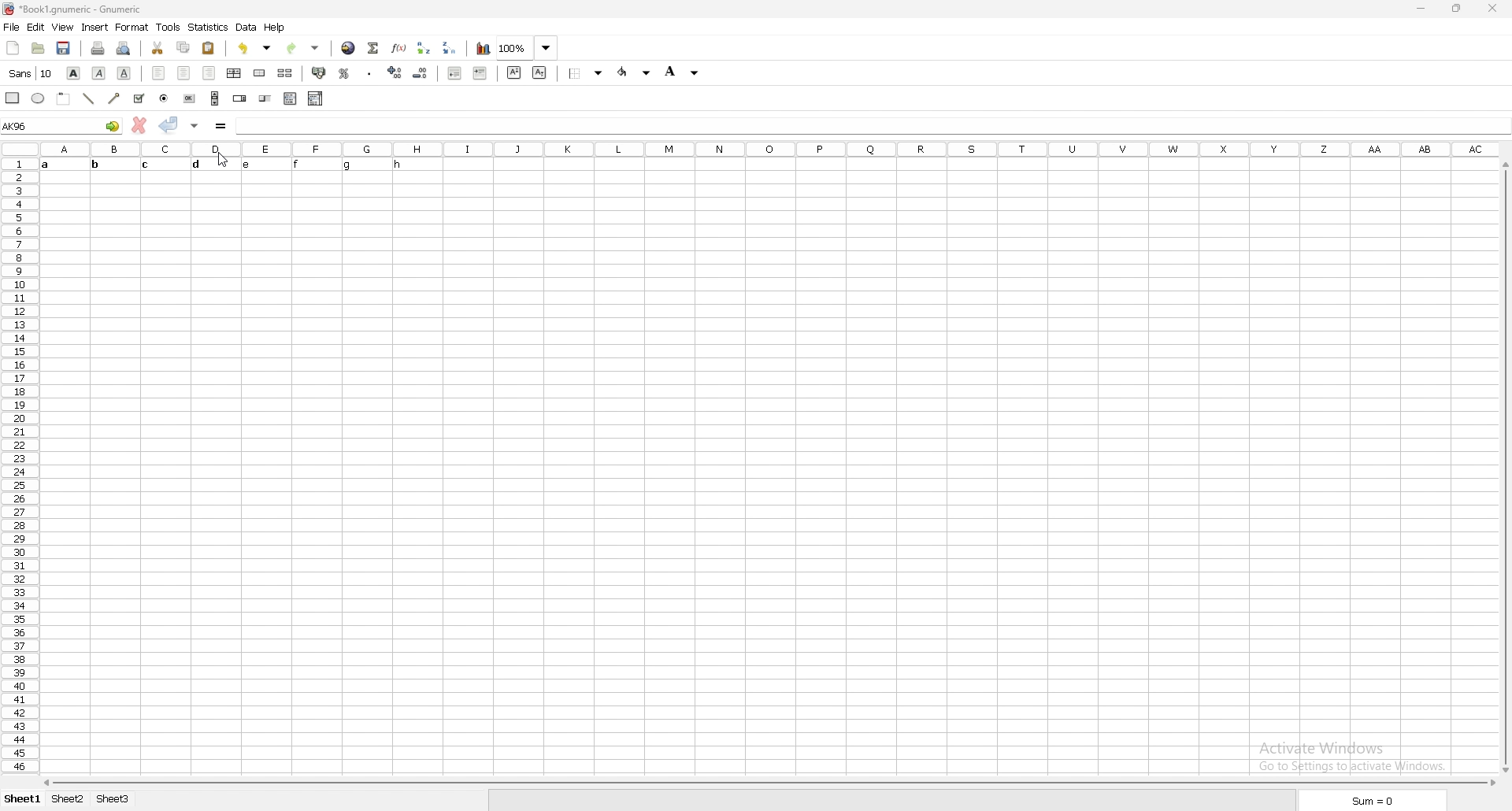  Describe the element at coordinates (13, 48) in the screenshot. I see `new` at that location.